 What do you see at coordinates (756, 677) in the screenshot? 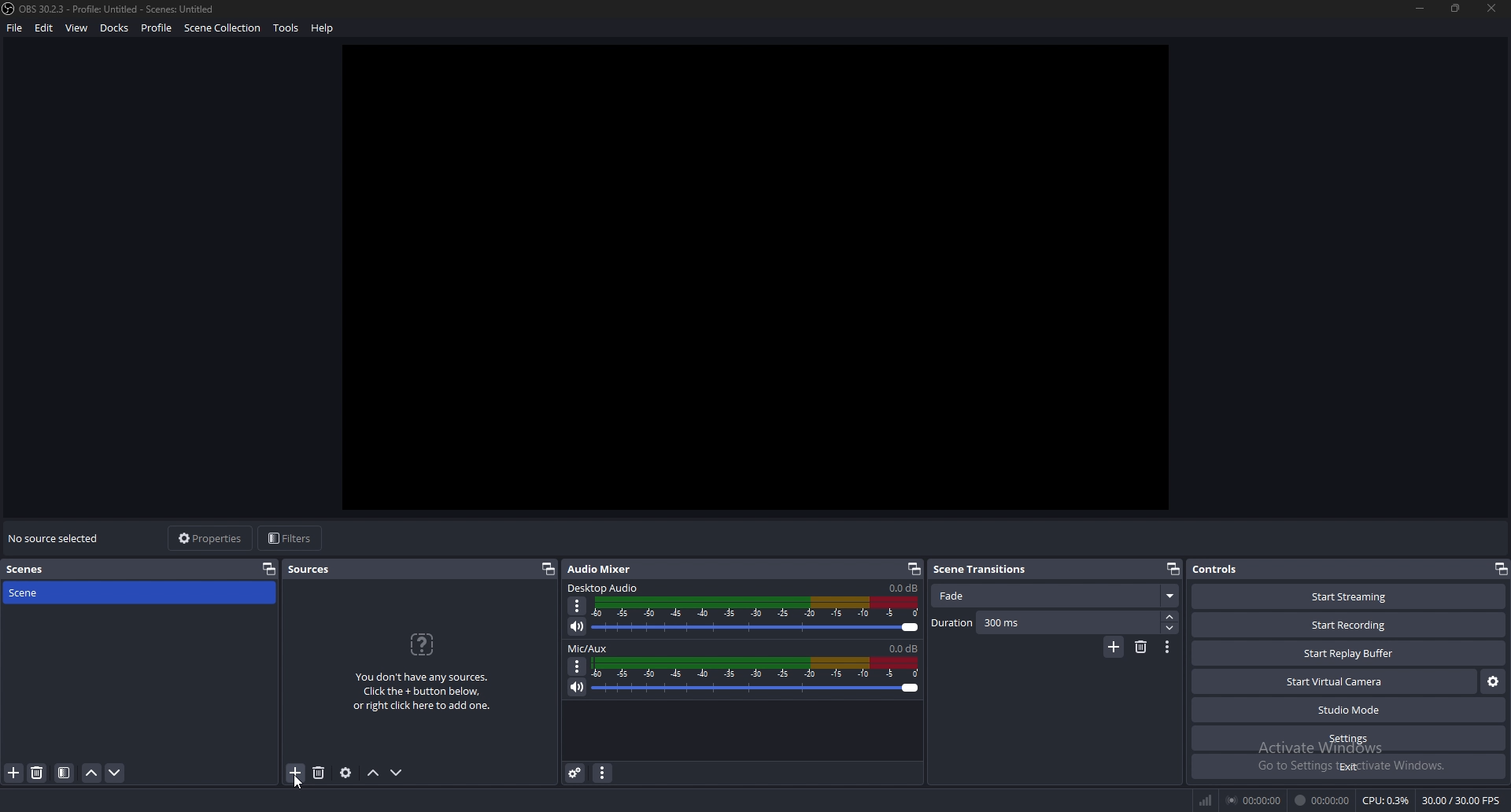
I see `volume adjust` at bounding box center [756, 677].